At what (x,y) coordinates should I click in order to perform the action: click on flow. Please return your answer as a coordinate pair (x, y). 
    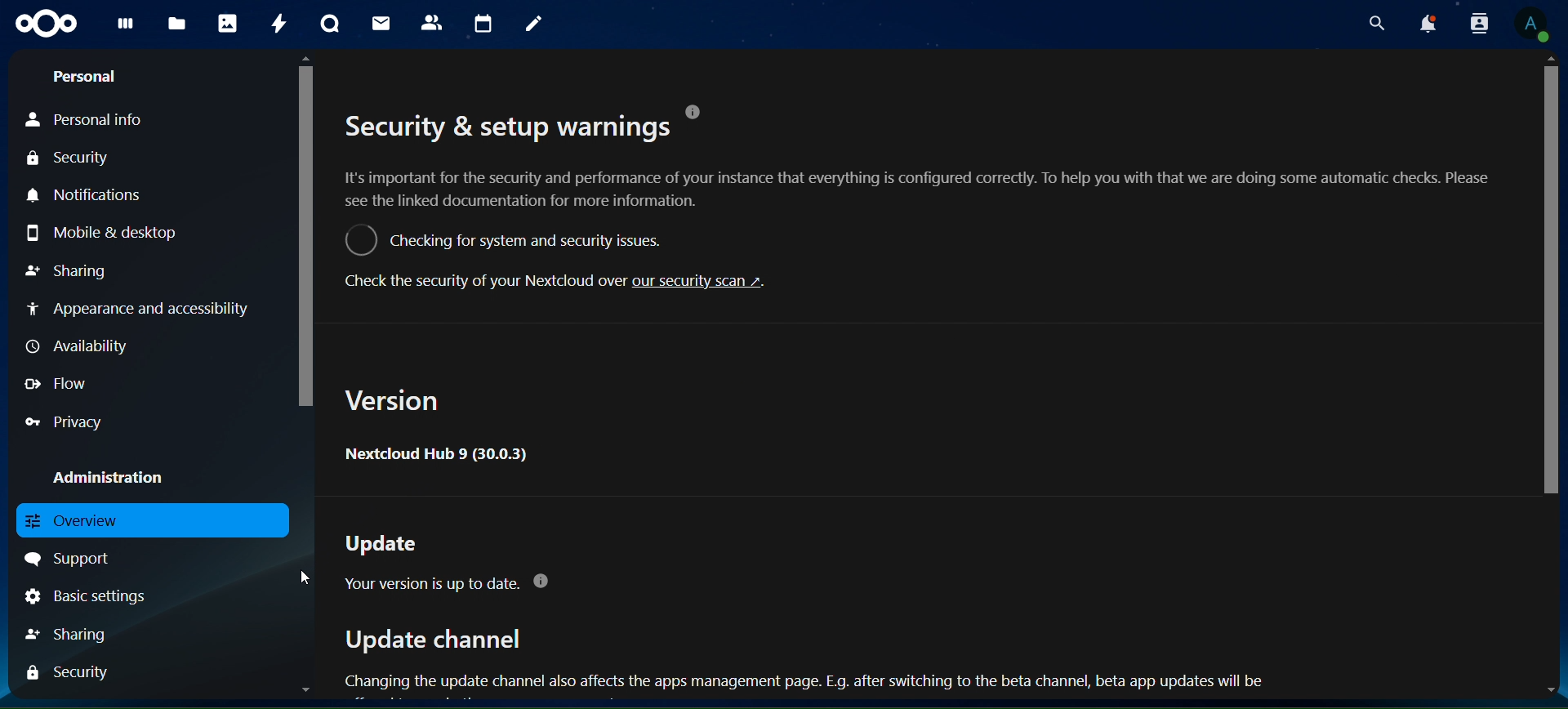
    Looking at the image, I should click on (57, 381).